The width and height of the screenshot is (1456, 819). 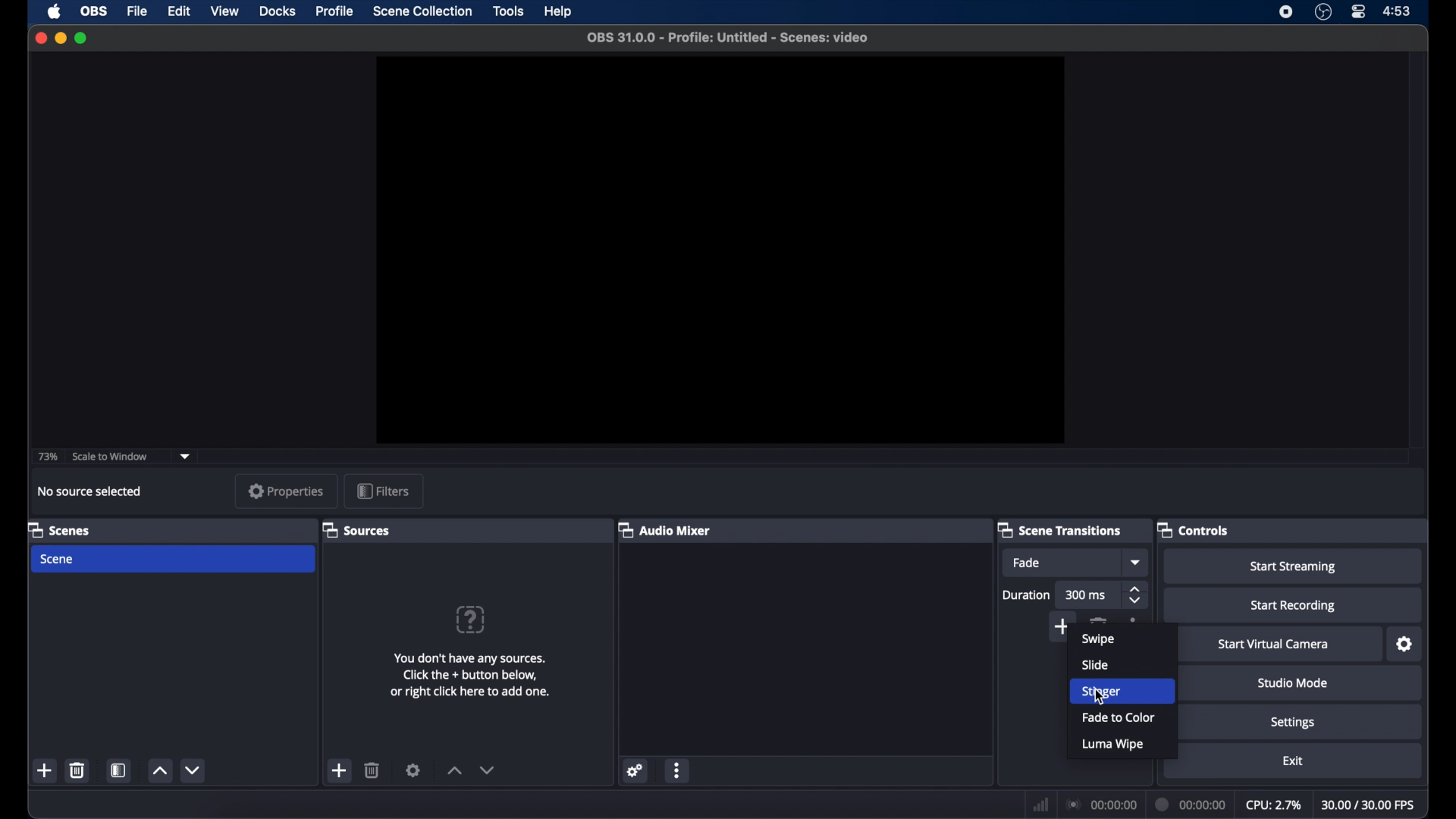 I want to click on scenes, so click(x=59, y=529).